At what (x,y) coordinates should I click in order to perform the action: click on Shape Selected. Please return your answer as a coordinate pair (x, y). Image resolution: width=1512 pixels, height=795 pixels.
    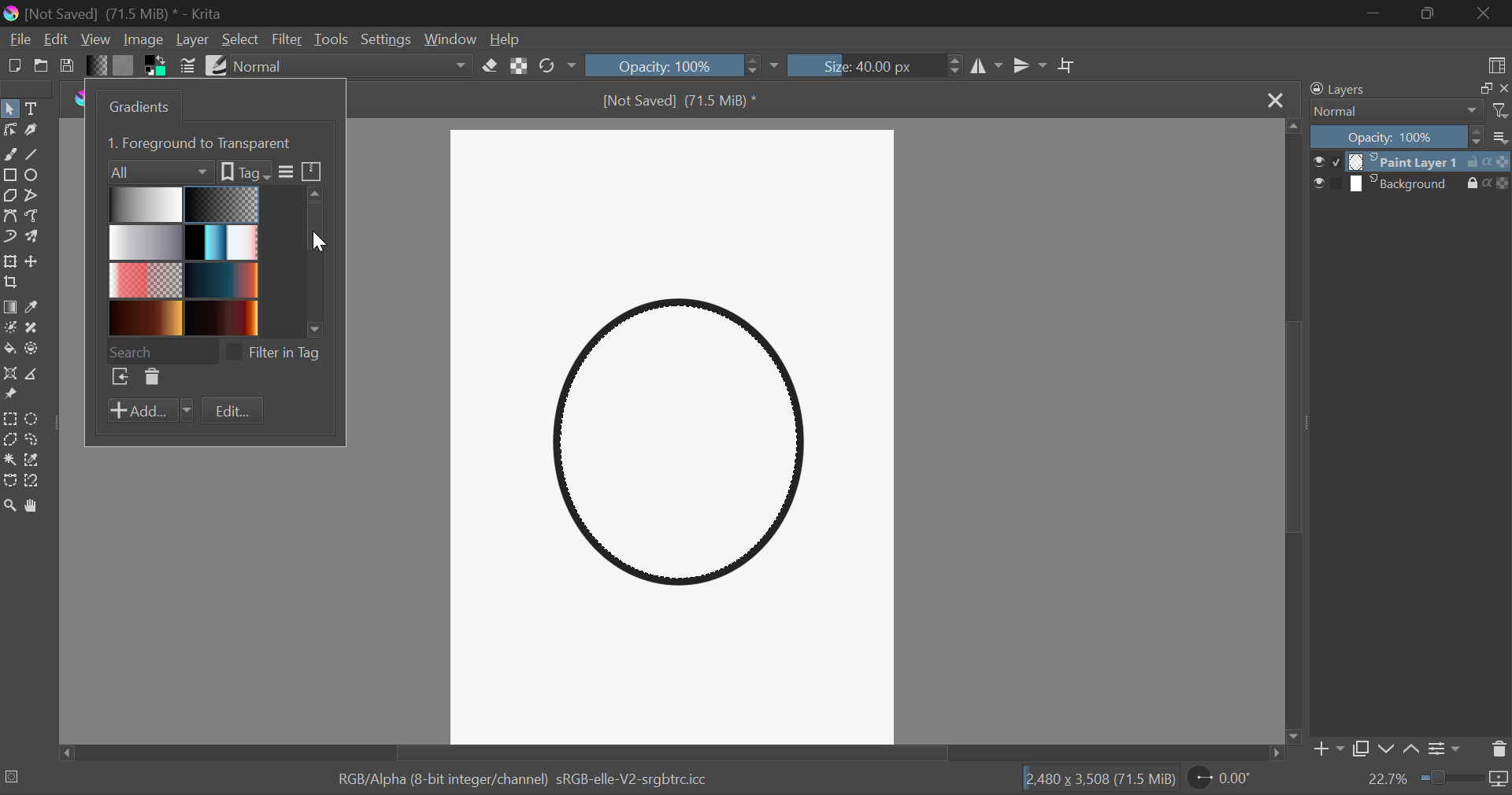
    Looking at the image, I should click on (684, 449).